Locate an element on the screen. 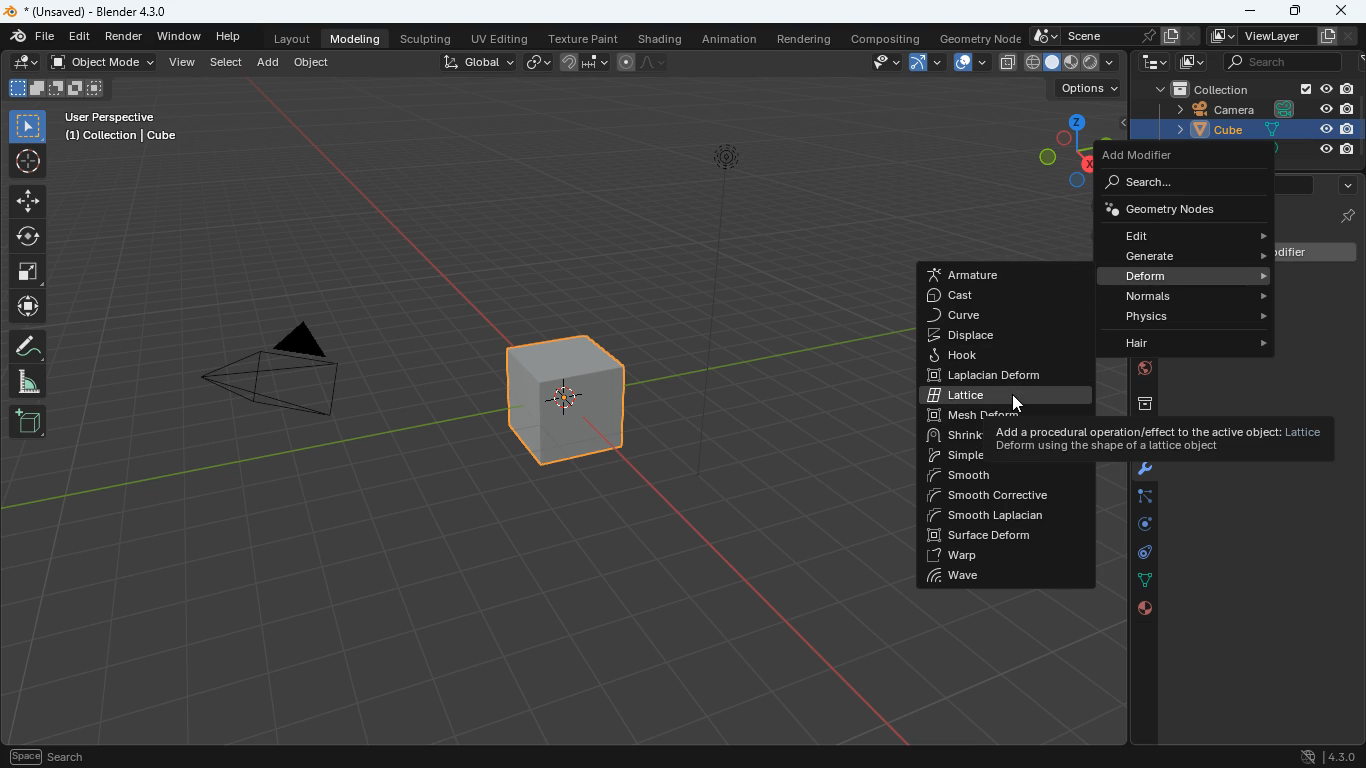 The height and width of the screenshot is (768, 1366). select is located at coordinates (227, 63).